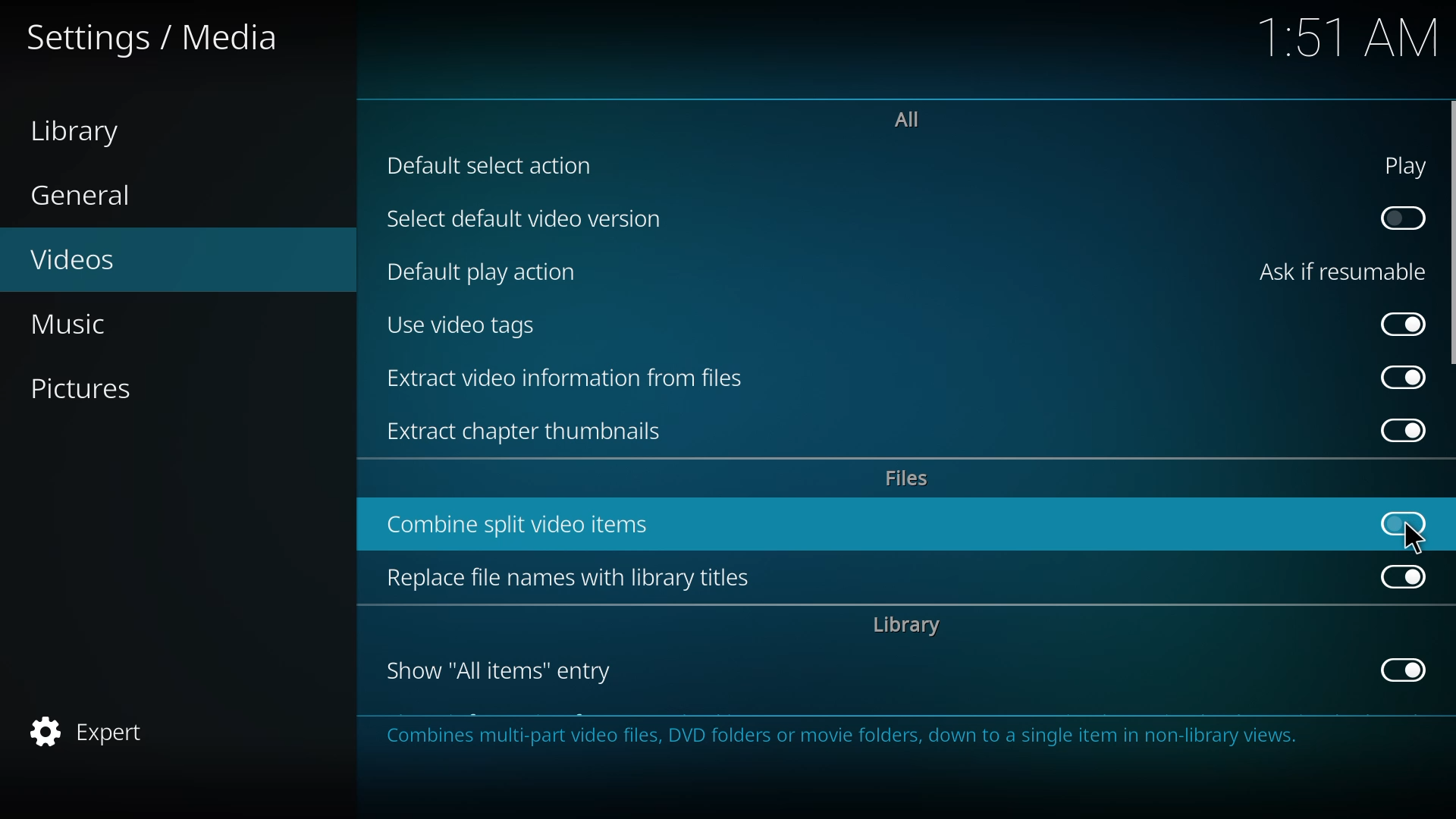  Describe the element at coordinates (85, 130) in the screenshot. I see `library` at that location.